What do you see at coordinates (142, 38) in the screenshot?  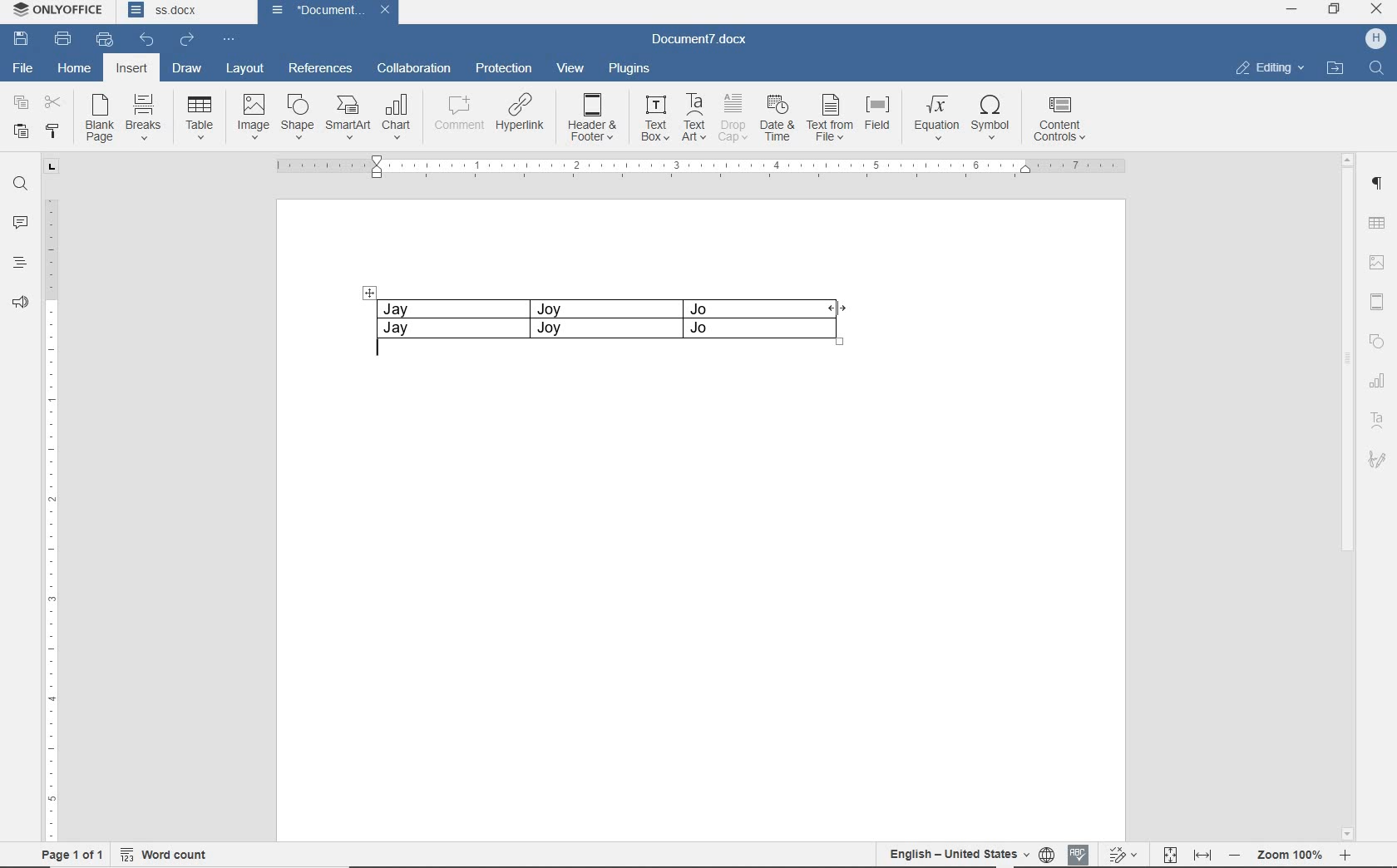 I see `UNDO` at bounding box center [142, 38].